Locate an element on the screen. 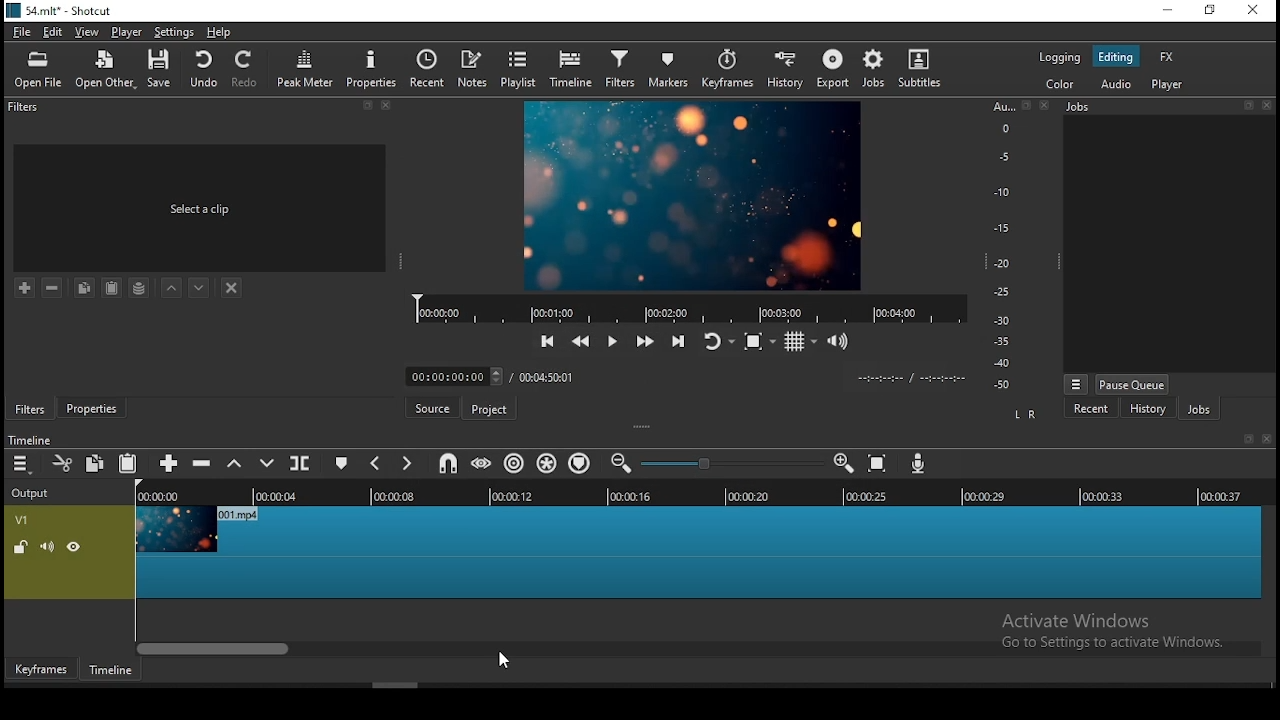 This screenshot has height=720, width=1280. volume control is located at coordinates (842, 340).